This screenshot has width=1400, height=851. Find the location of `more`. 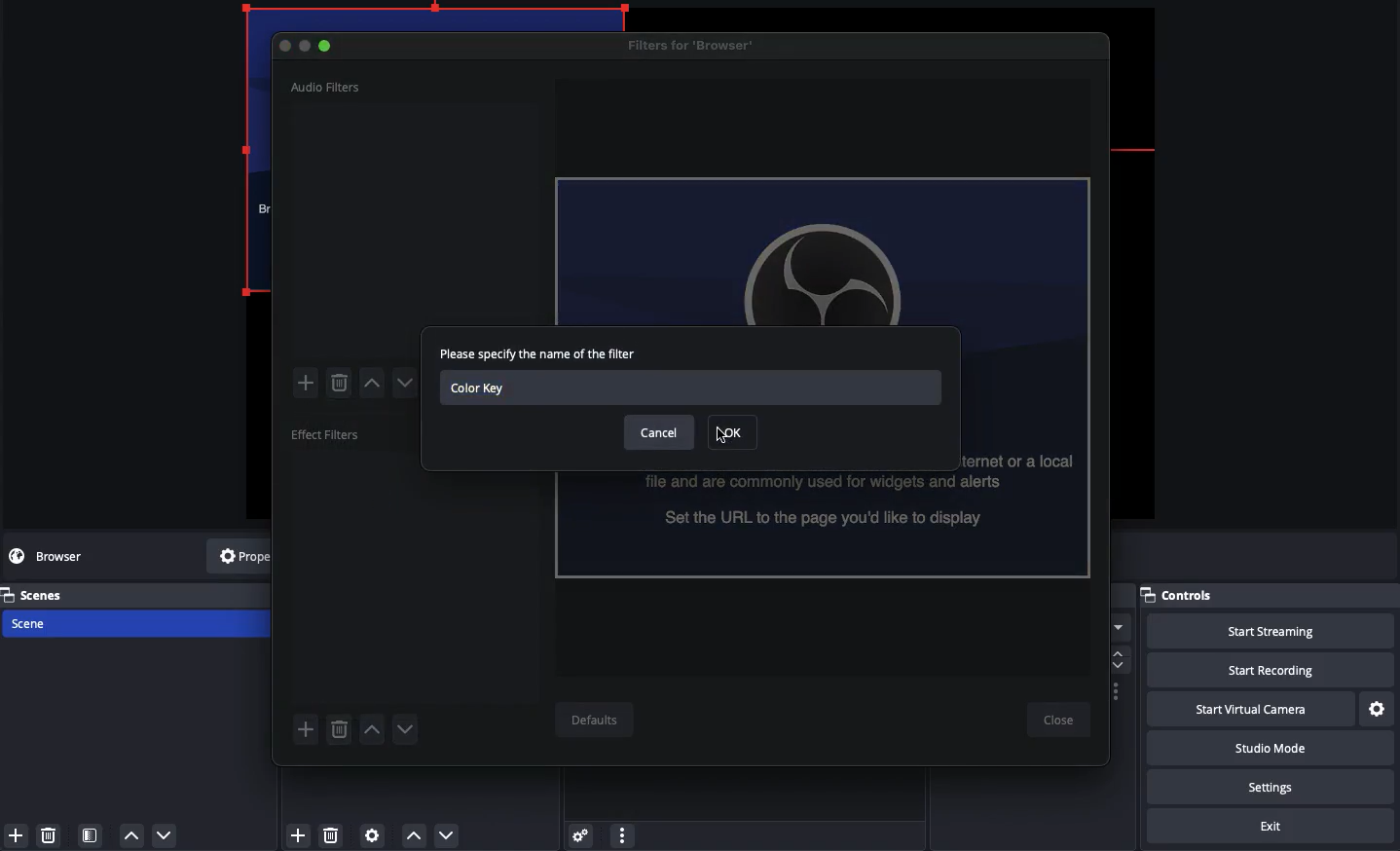

more is located at coordinates (623, 836).